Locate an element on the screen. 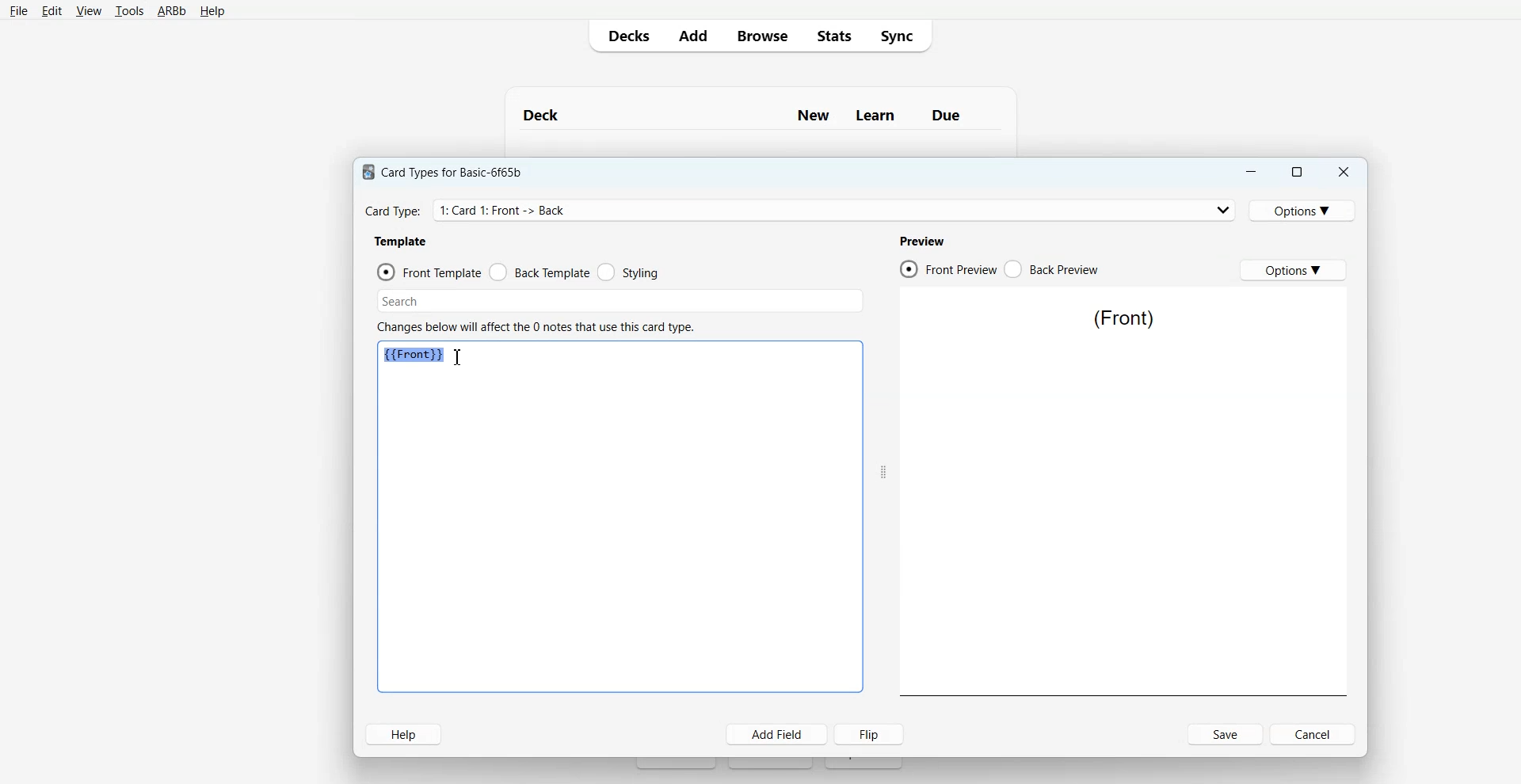 The image size is (1521, 784). Text is located at coordinates (760, 108).